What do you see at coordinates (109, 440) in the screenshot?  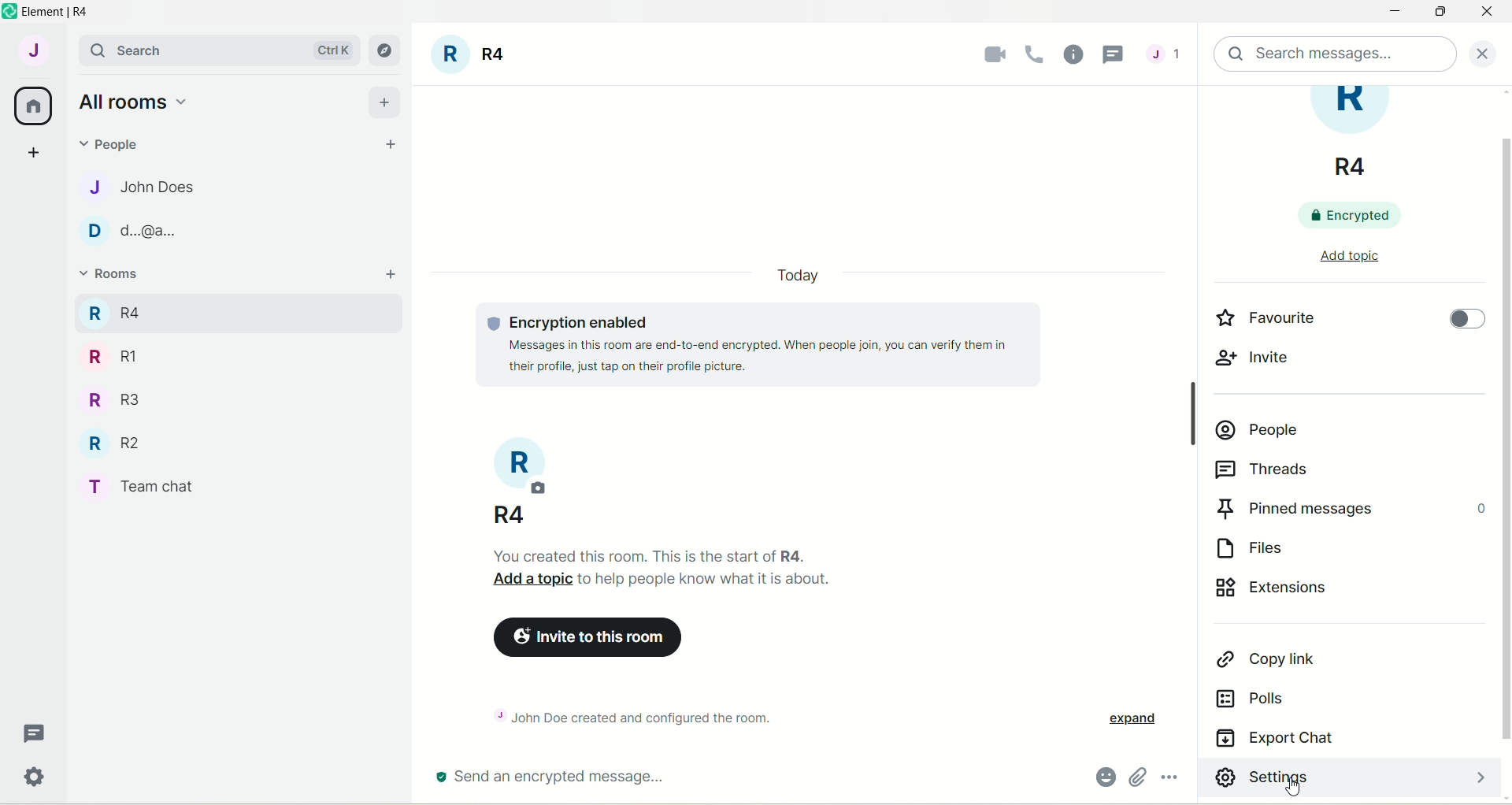 I see `R R2` at bounding box center [109, 440].